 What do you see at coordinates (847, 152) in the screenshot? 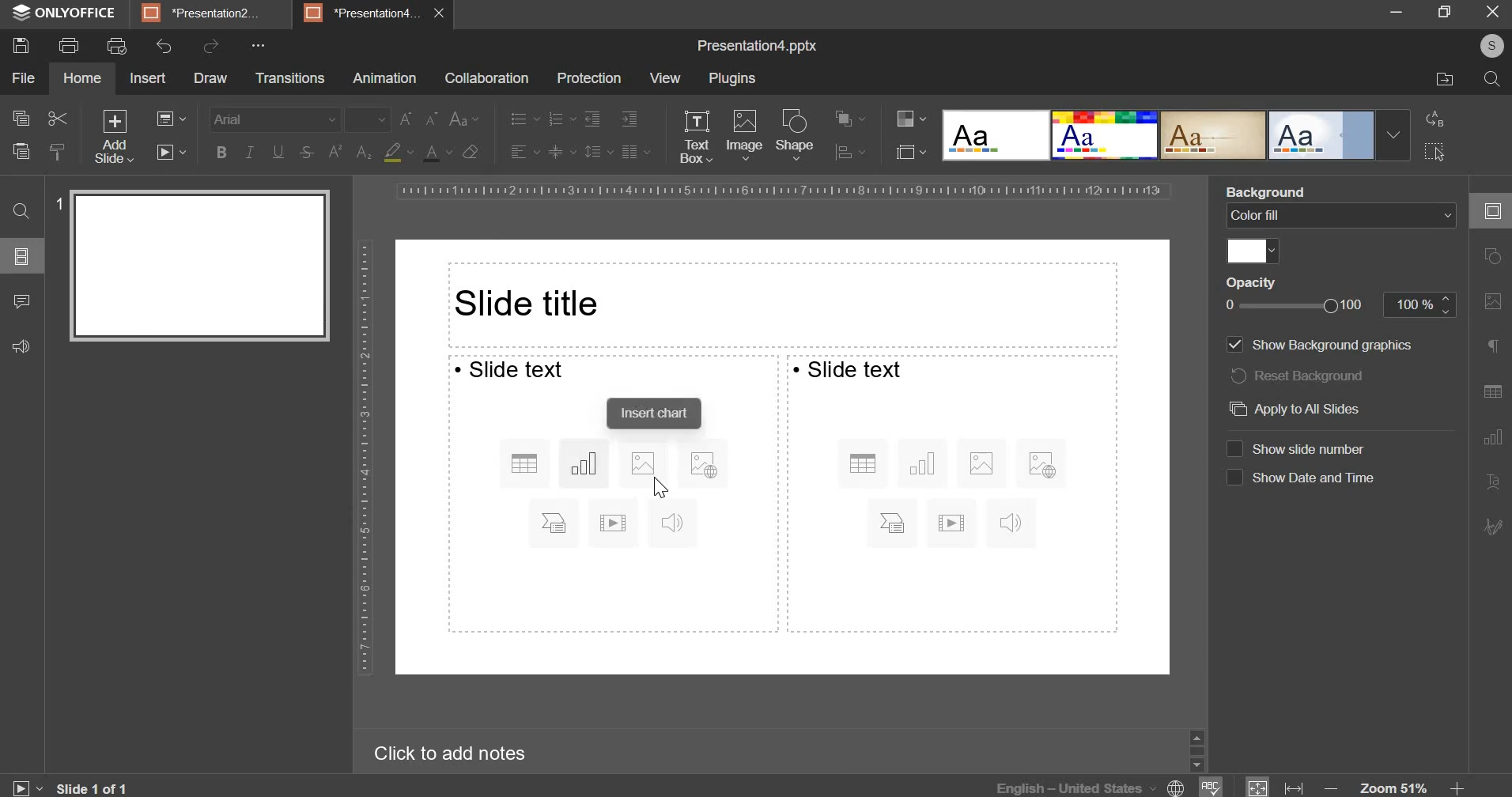
I see `distribution` at bounding box center [847, 152].